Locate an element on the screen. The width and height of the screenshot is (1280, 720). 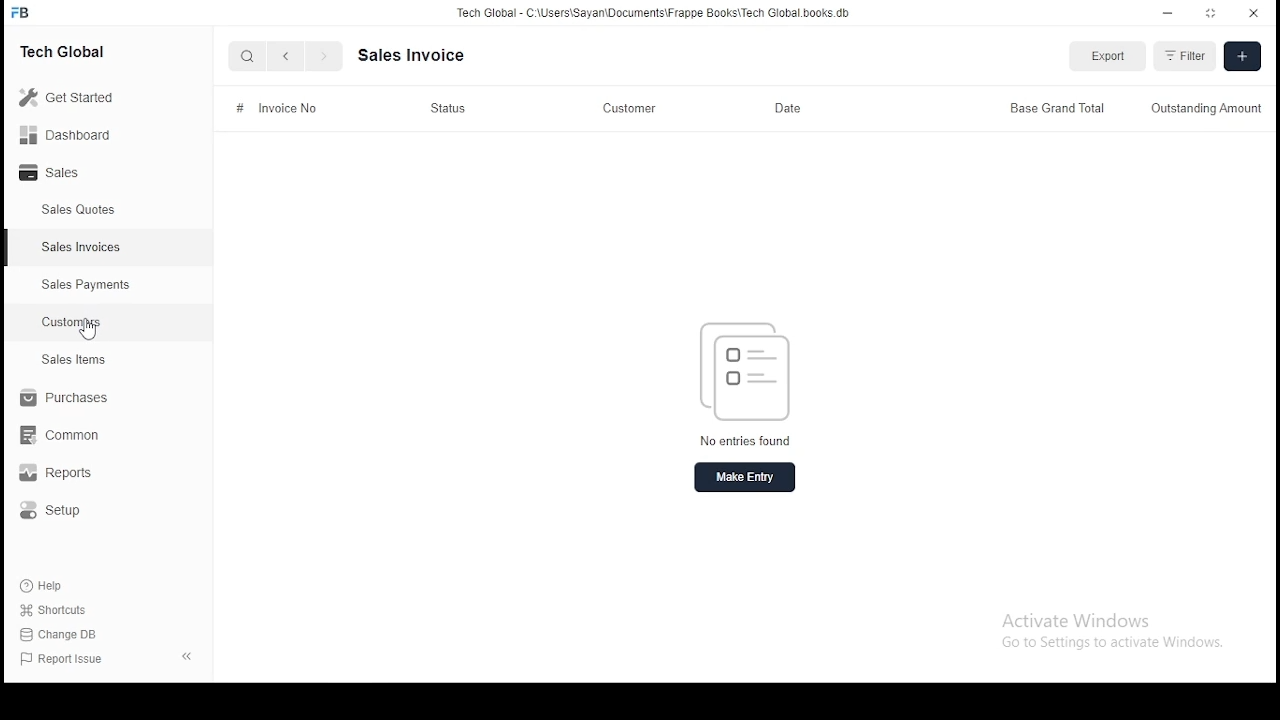
reports is located at coordinates (64, 474).